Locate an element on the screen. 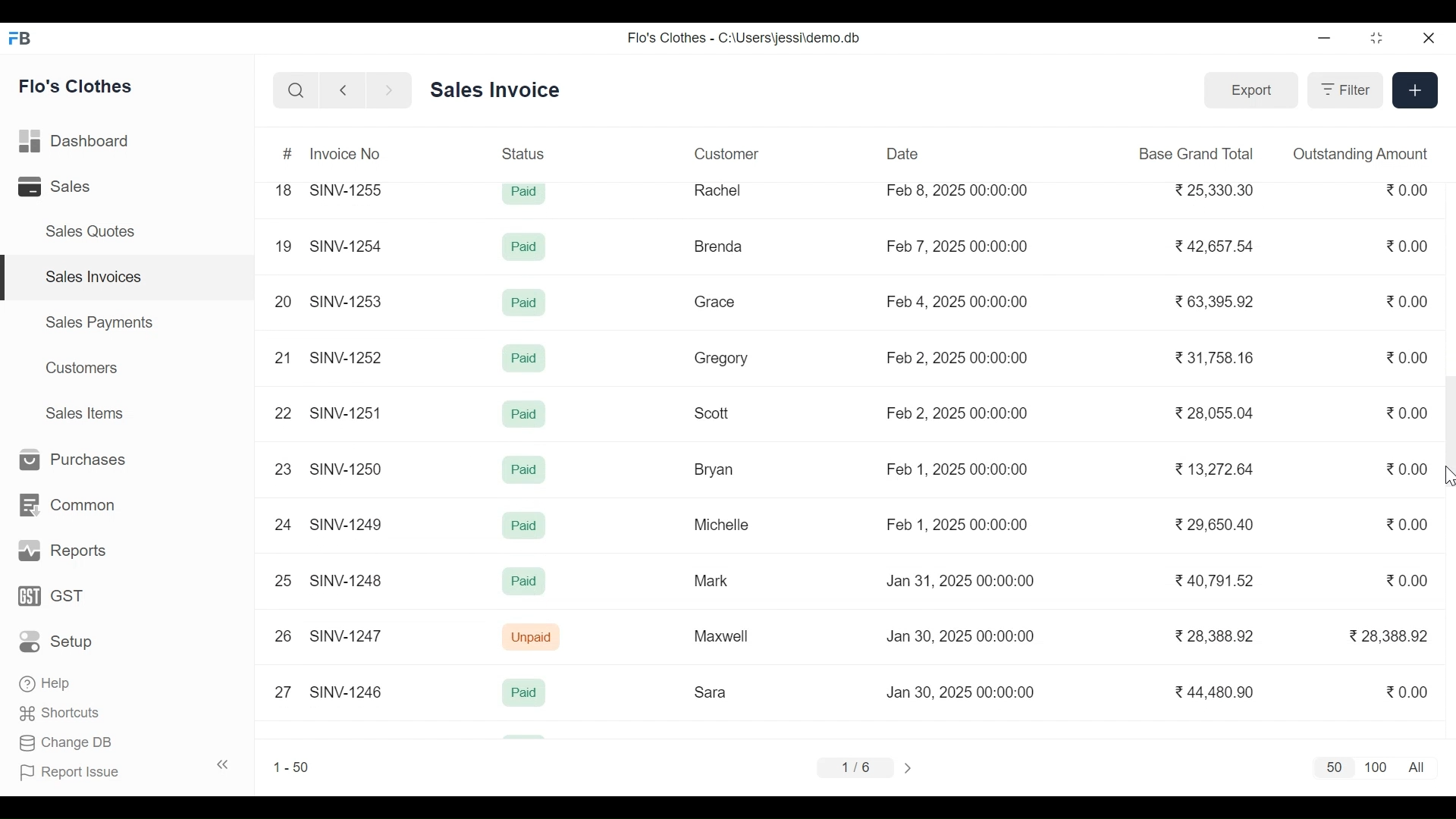 Image resolution: width=1456 pixels, height=819 pixels. 28,388.92 is located at coordinates (1389, 635).